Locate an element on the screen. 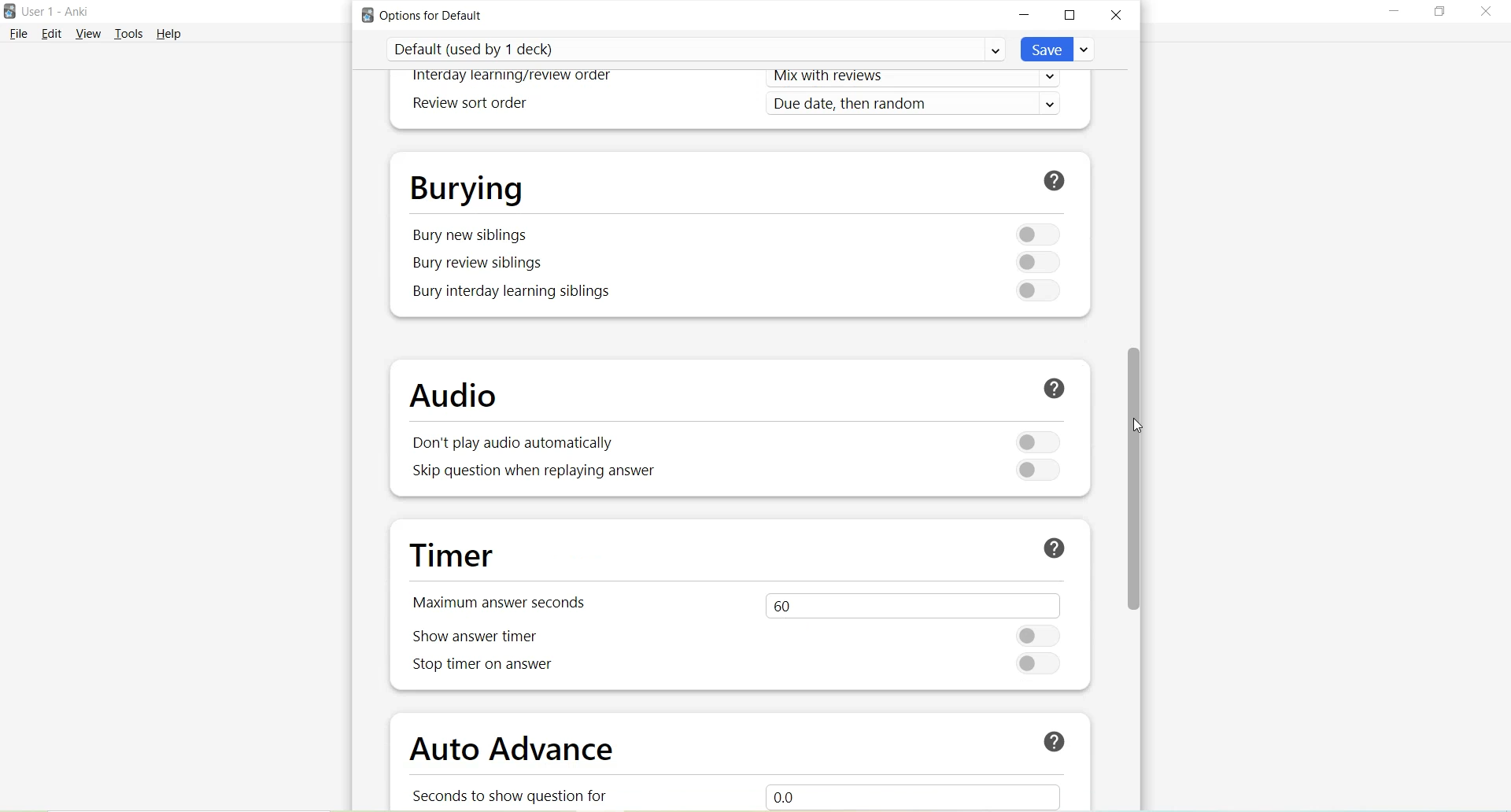 This screenshot has height=812, width=1511. Close is located at coordinates (1116, 14).